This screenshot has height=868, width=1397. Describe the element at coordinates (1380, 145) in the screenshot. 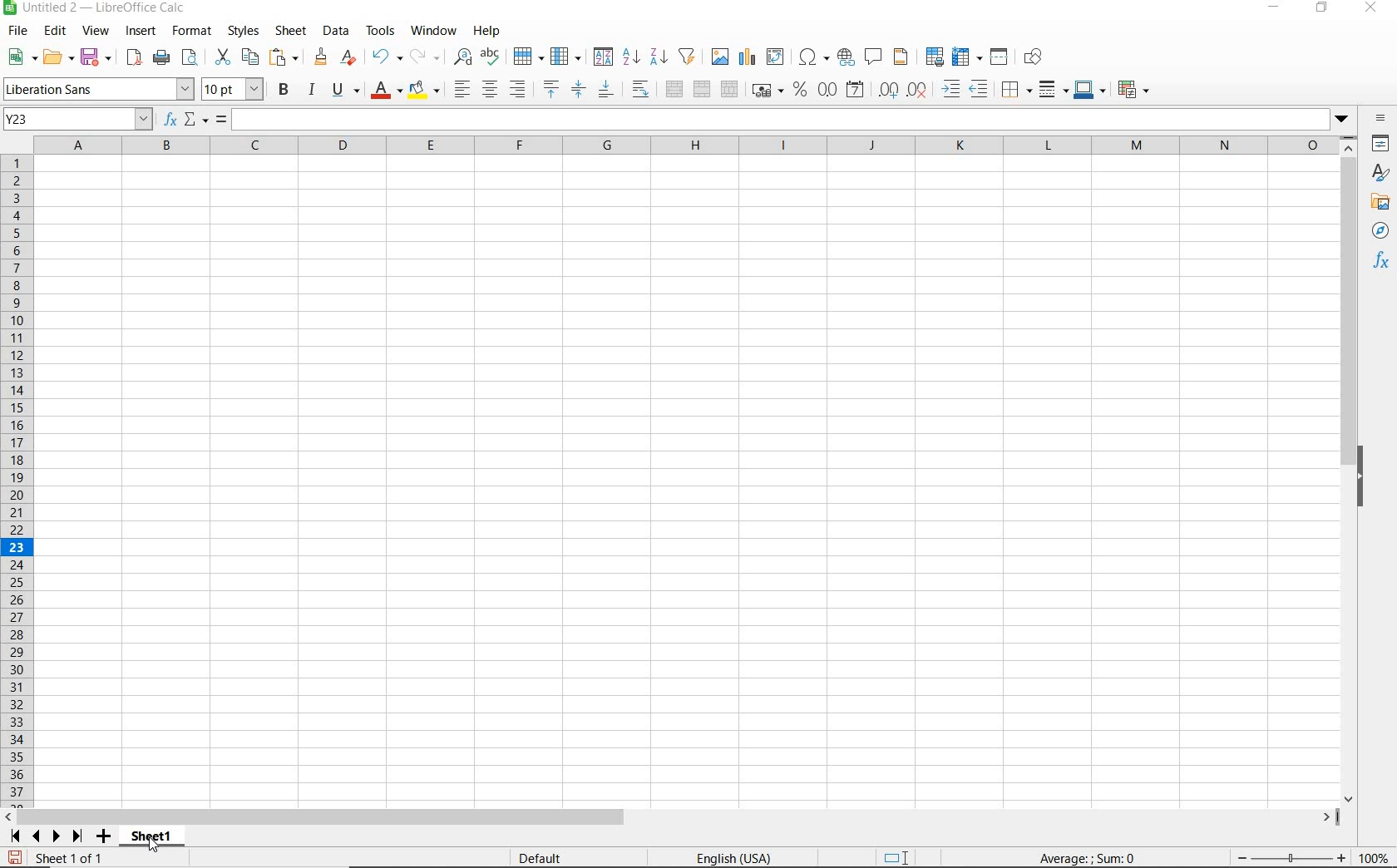

I see `PROPERTIES` at that location.